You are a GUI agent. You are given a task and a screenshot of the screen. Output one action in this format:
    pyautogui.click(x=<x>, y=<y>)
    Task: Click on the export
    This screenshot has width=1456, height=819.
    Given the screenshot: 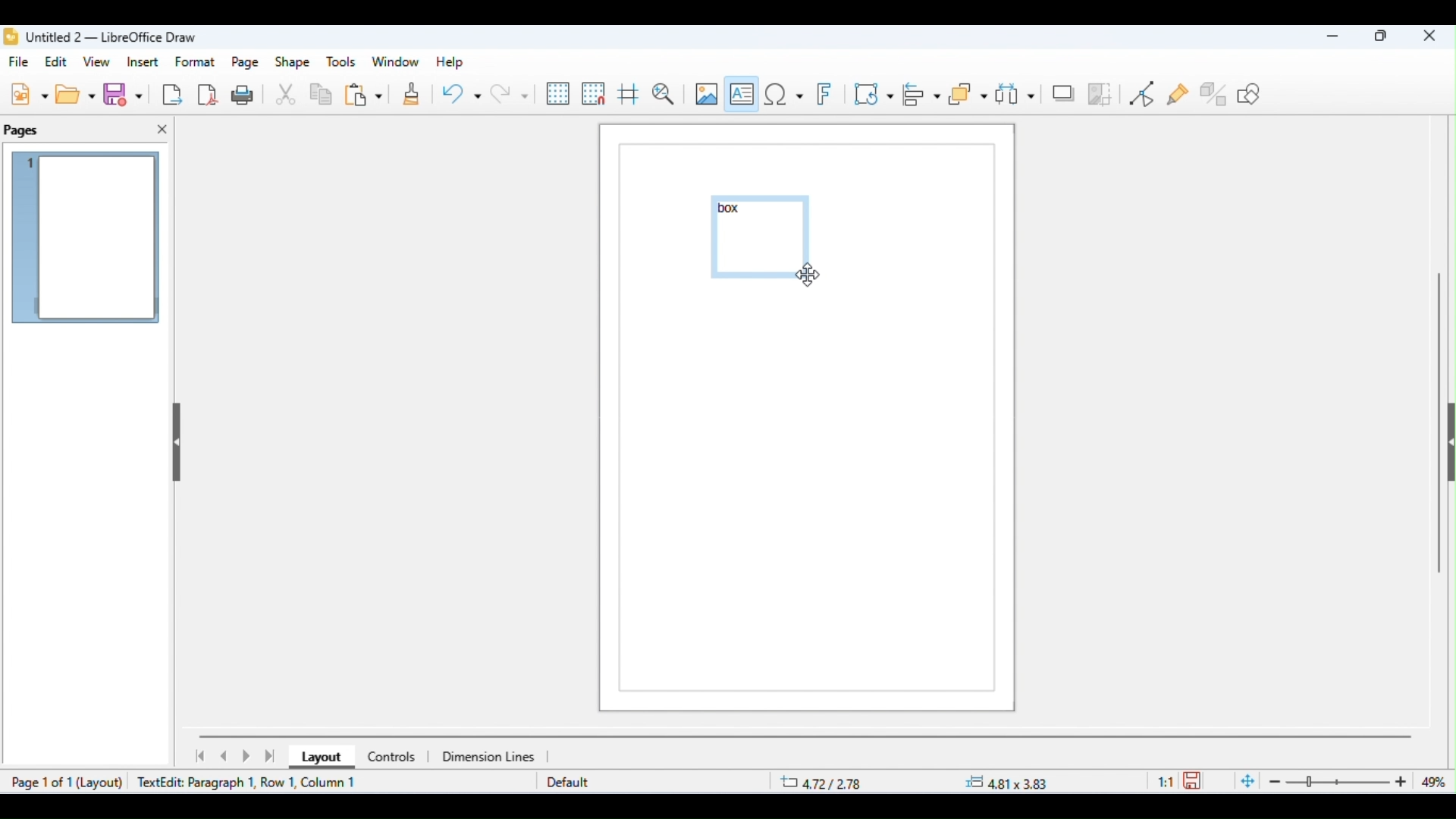 What is the action you would take?
    pyautogui.click(x=171, y=94)
    